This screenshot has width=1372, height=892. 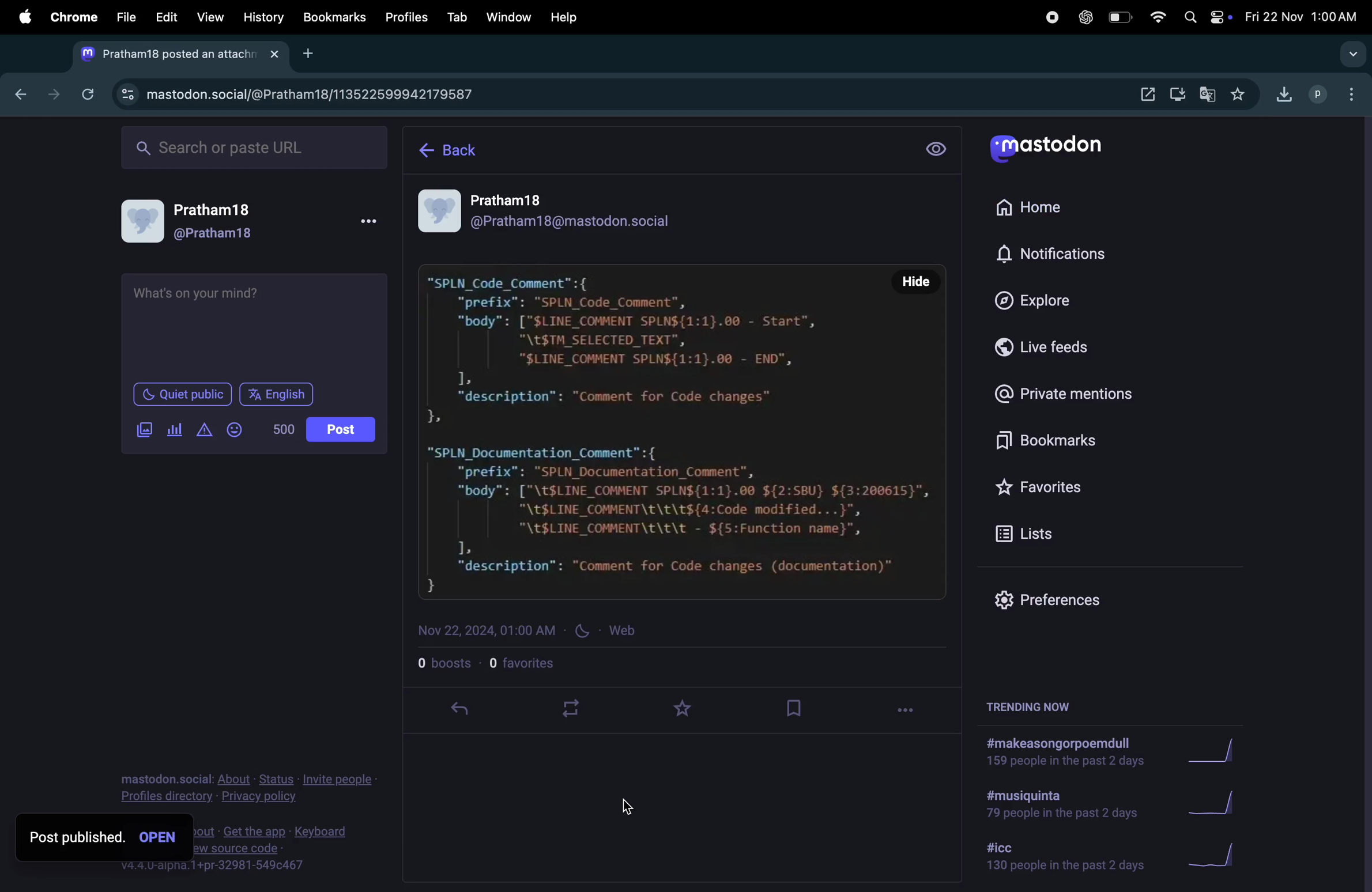 I want to click on record, so click(x=1053, y=18).